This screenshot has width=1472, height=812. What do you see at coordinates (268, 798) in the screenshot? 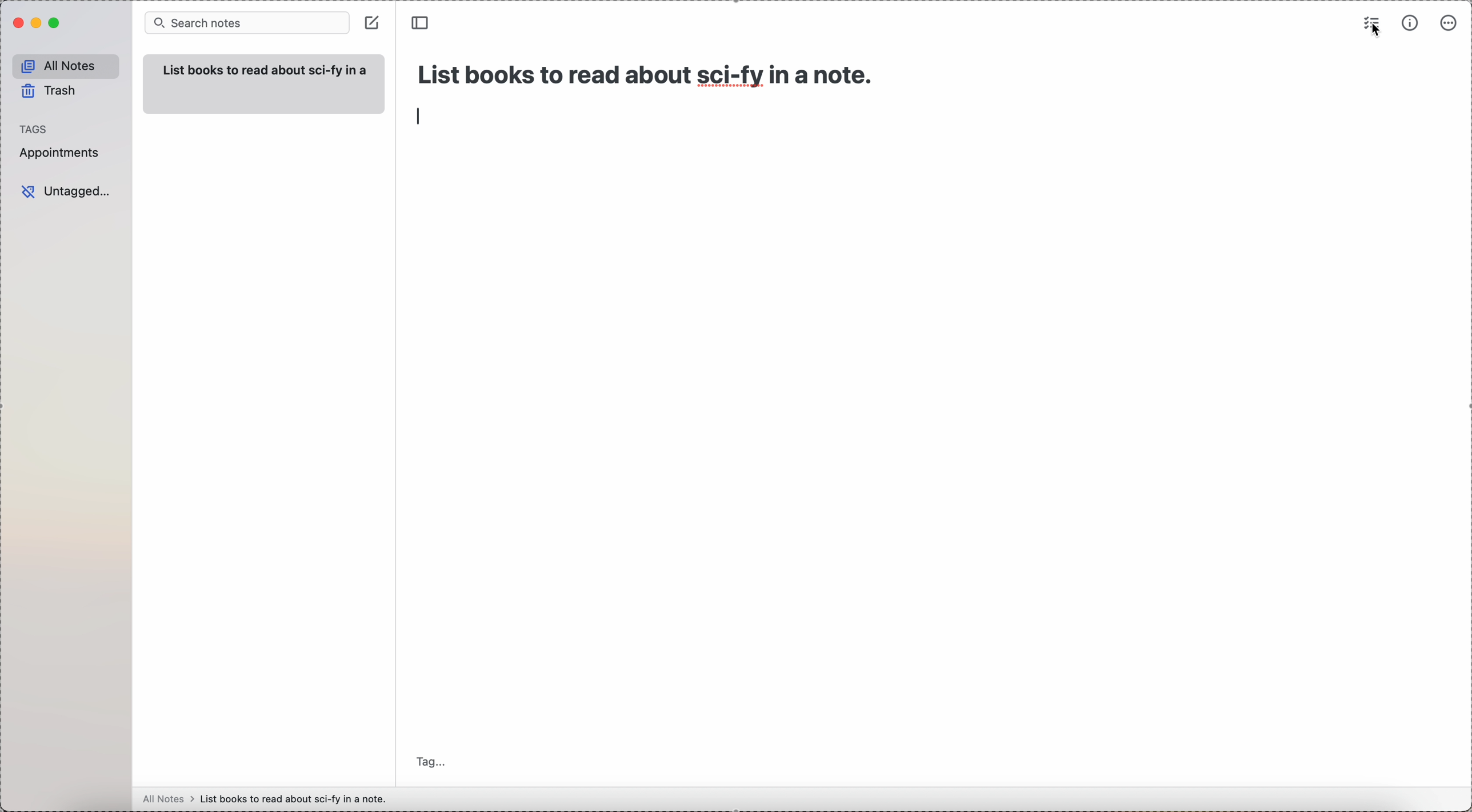
I see `all notes > List books to read about sci-fy in a note.` at bounding box center [268, 798].